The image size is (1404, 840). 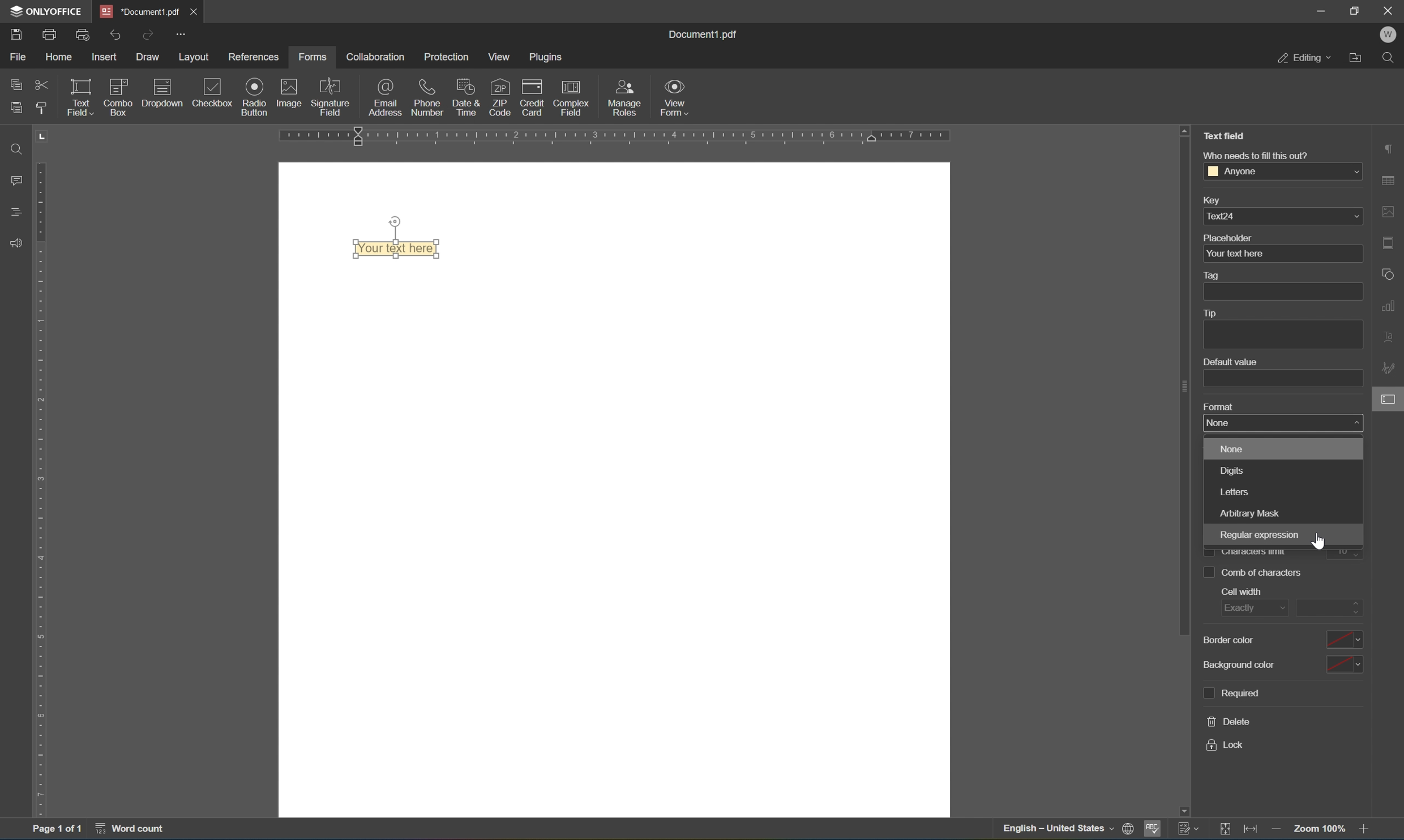 I want to click on none, so click(x=1284, y=449).